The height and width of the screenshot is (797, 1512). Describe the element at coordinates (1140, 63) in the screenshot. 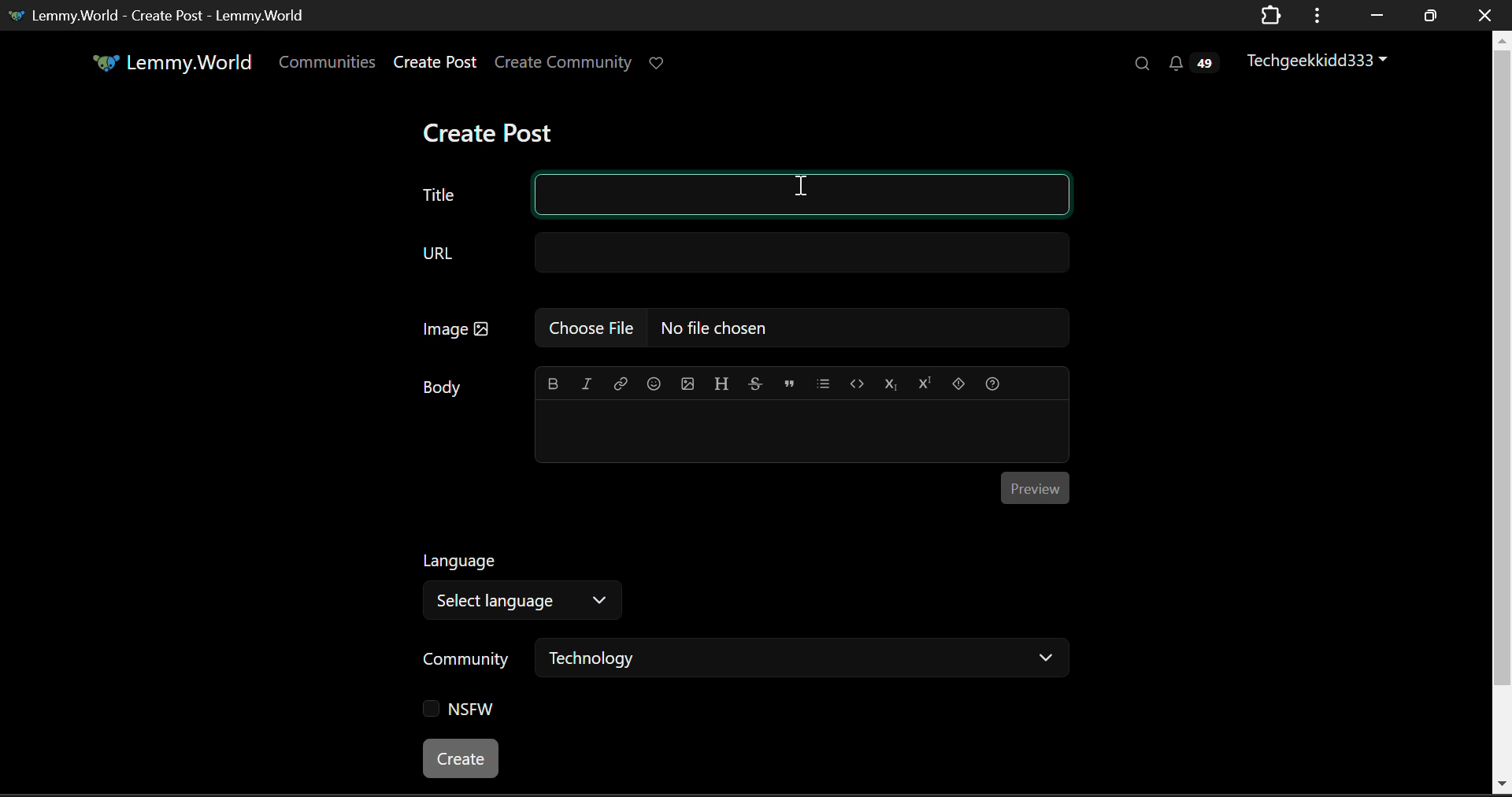

I see `Search` at that location.